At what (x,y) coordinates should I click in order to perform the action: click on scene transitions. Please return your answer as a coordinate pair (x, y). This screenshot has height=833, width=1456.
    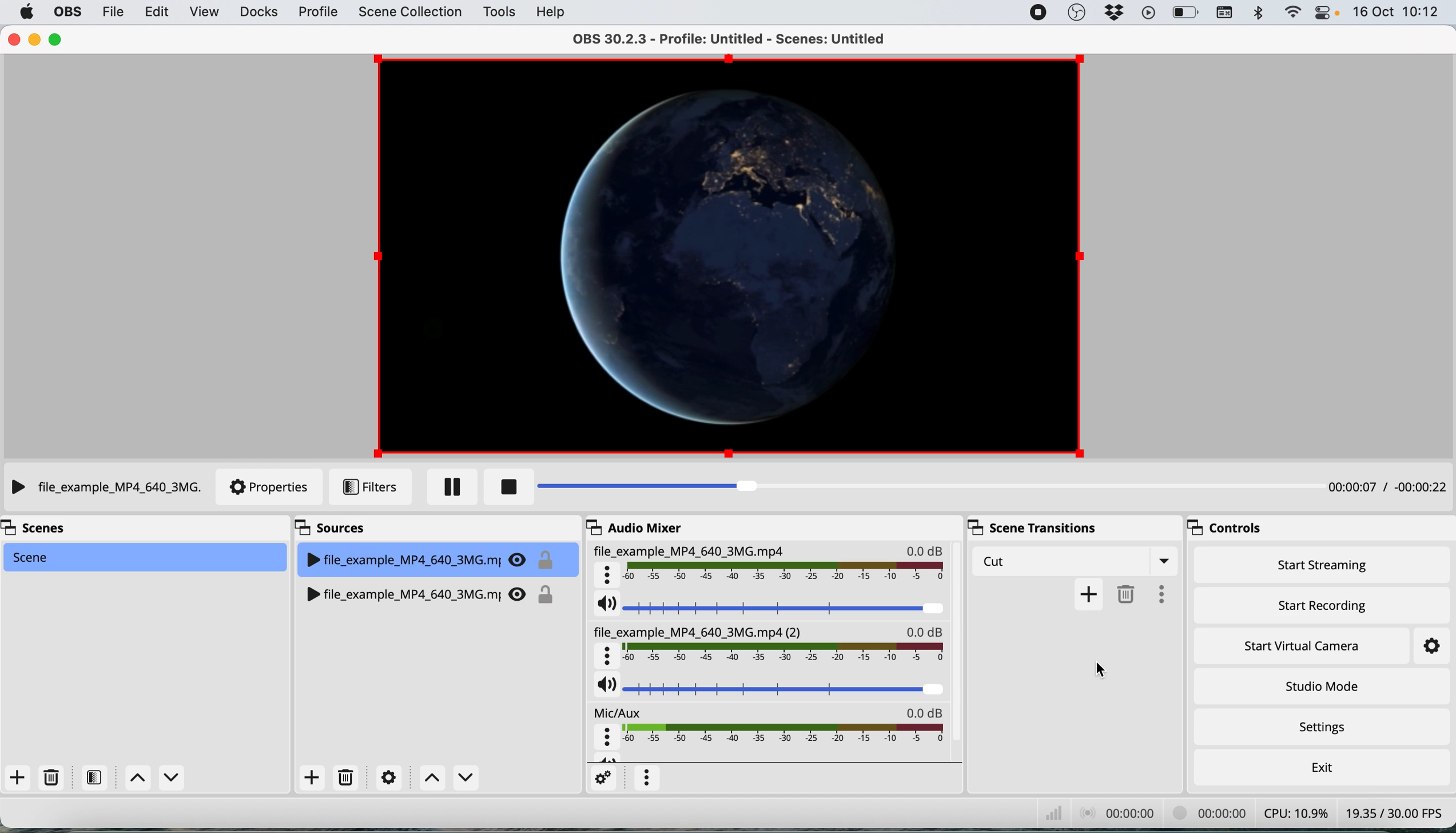
    Looking at the image, I should click on (1034, 527).